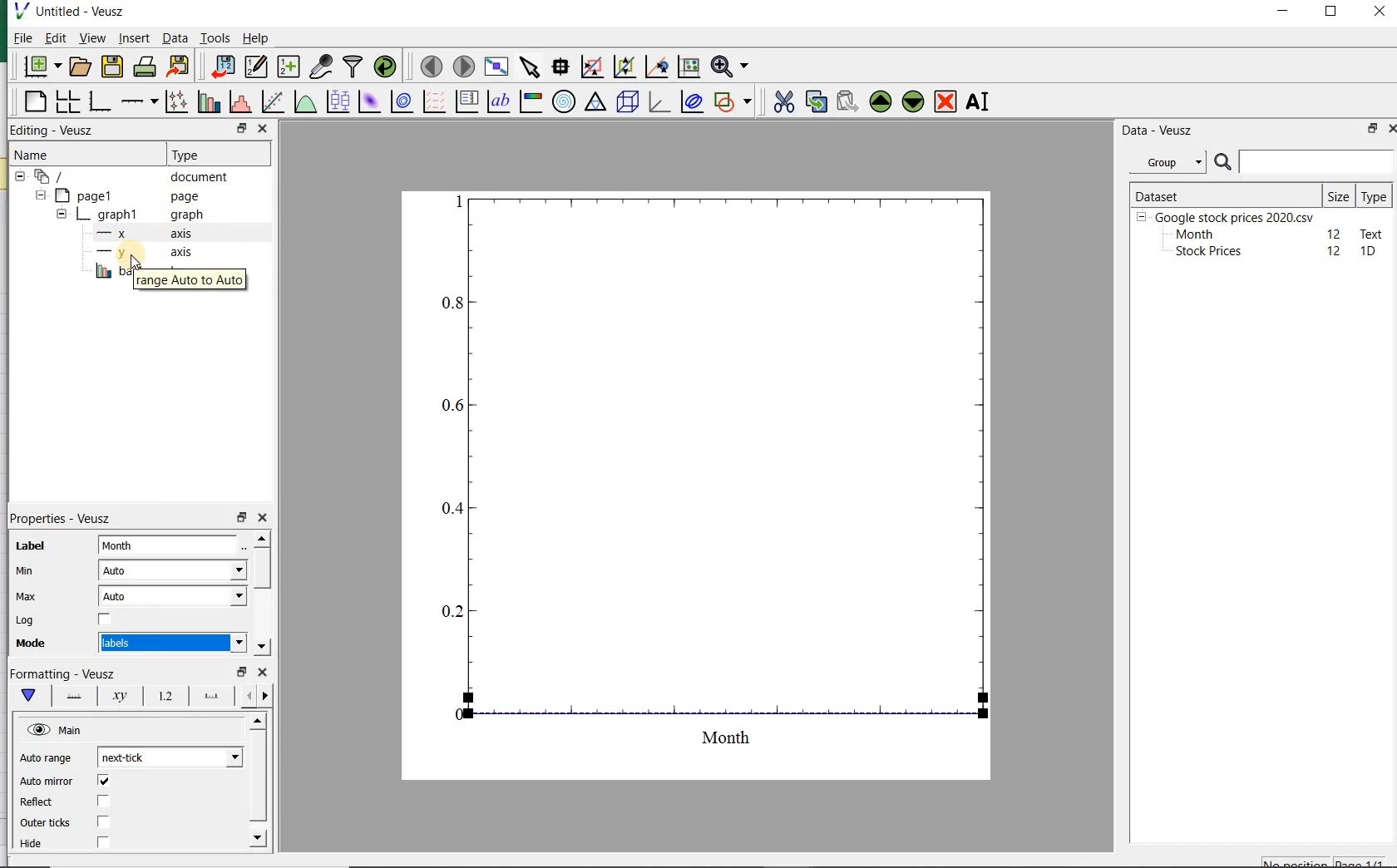 This screenshot has width=1397, height=868. What do you see at coordinates (81, 66) in the screenshot?
I see `open a document` at bounding box center [81, 66].